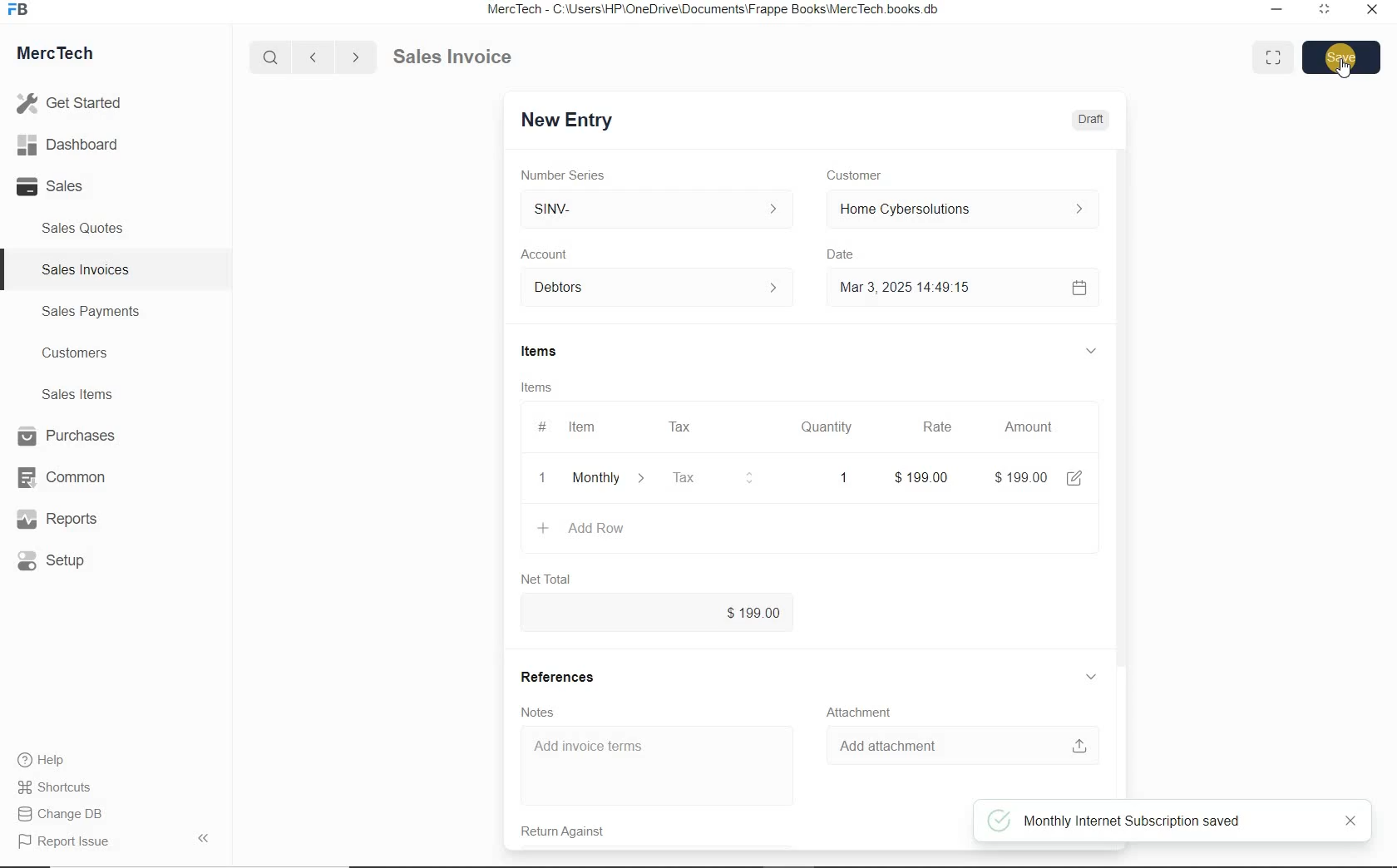 This screenshot has width=1397, height=868. I want to click on Items, so click(548, 353).